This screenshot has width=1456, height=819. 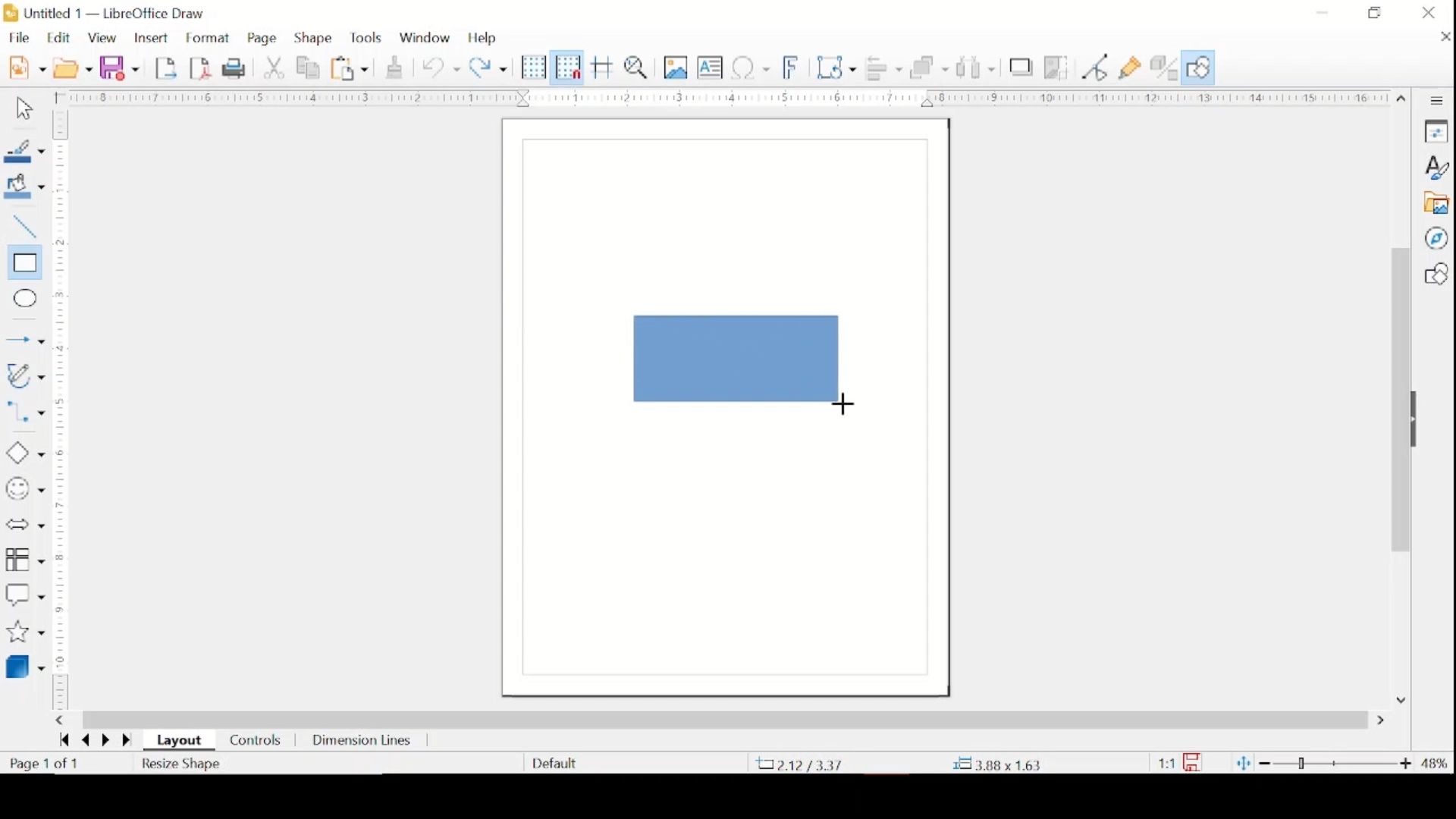 What do you see at coordinates (977, 67) in the screenshot?
I see `select at least three objects to distribute` at bounding box center [977, 67].